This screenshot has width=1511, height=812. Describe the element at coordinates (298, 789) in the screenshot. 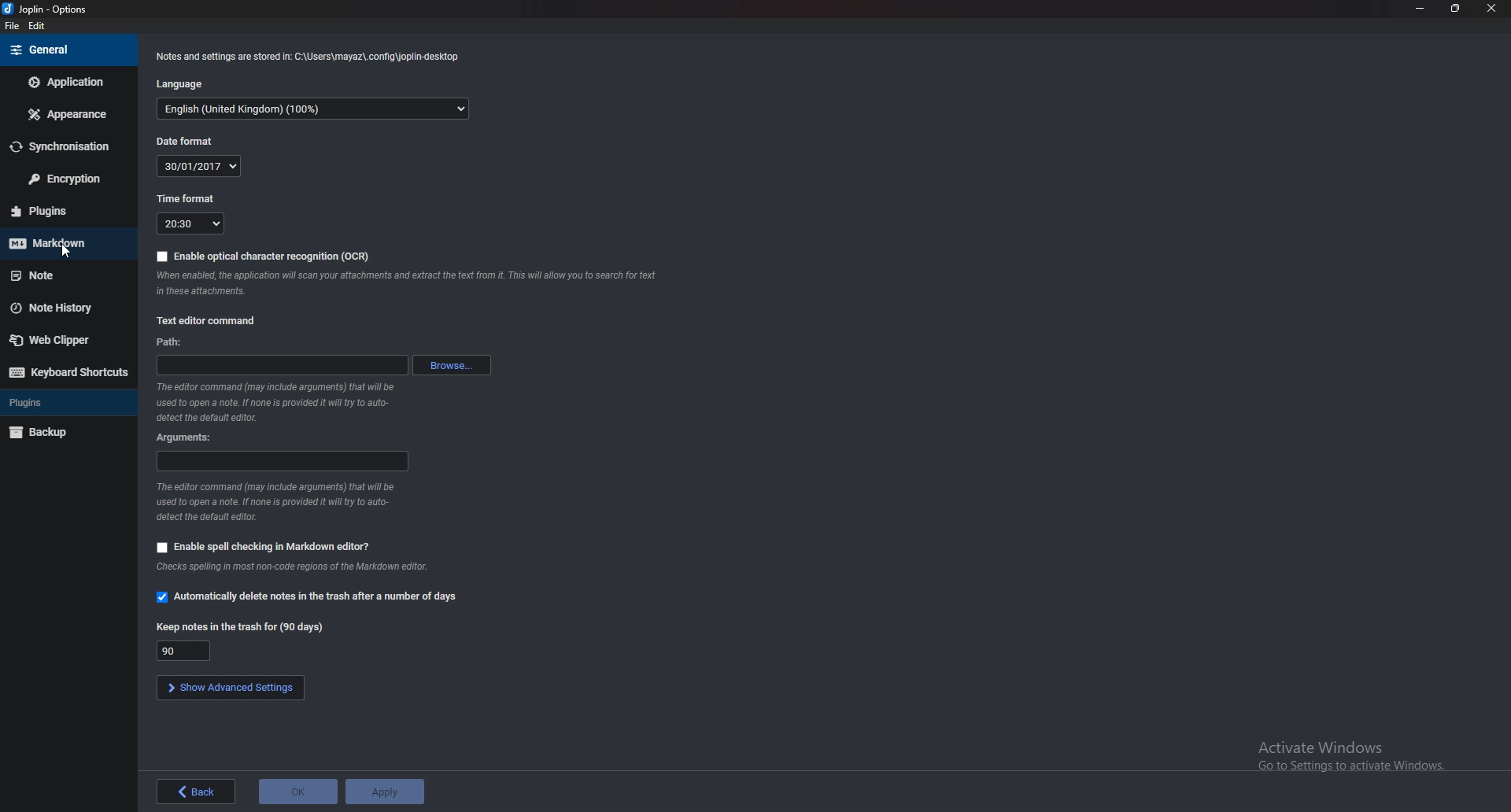

I see `ok` at that location.